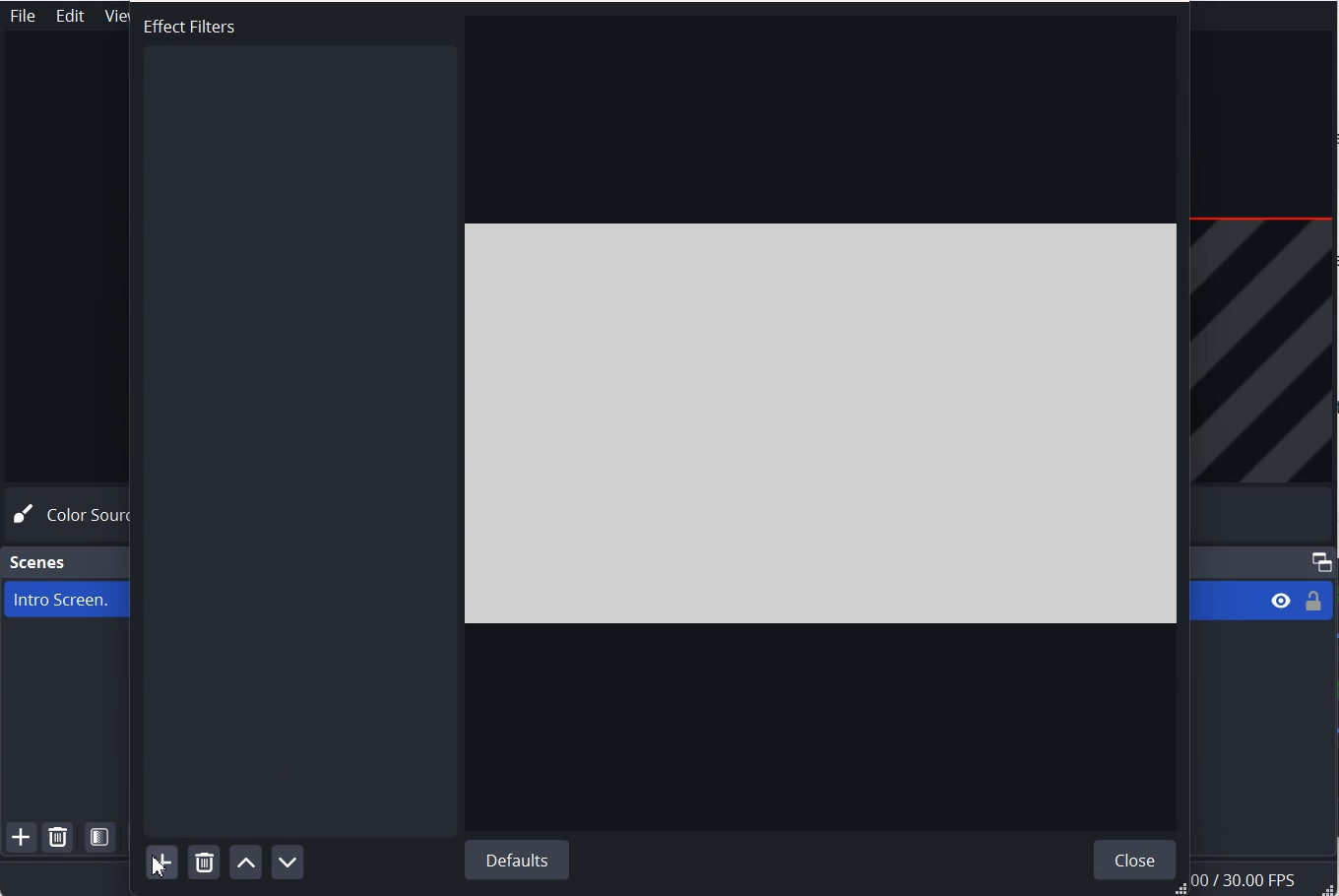 This screenshot has height=896, width=1339. I want to click on File, so click(22, 16).